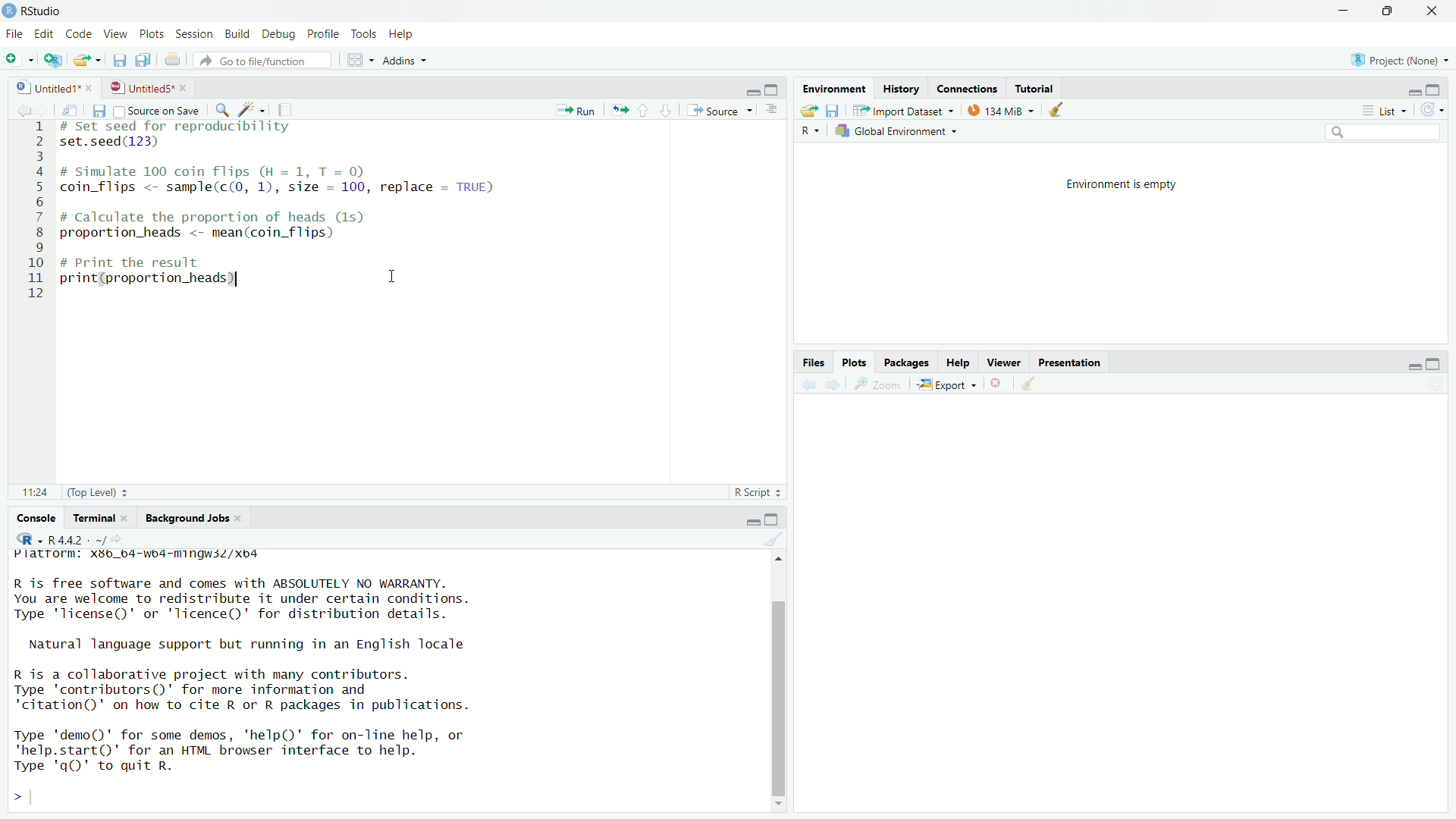  What do you see at coordinates (98, 492) in the screenshot?
I see `(Top level)` at bounding box center [98, 492].